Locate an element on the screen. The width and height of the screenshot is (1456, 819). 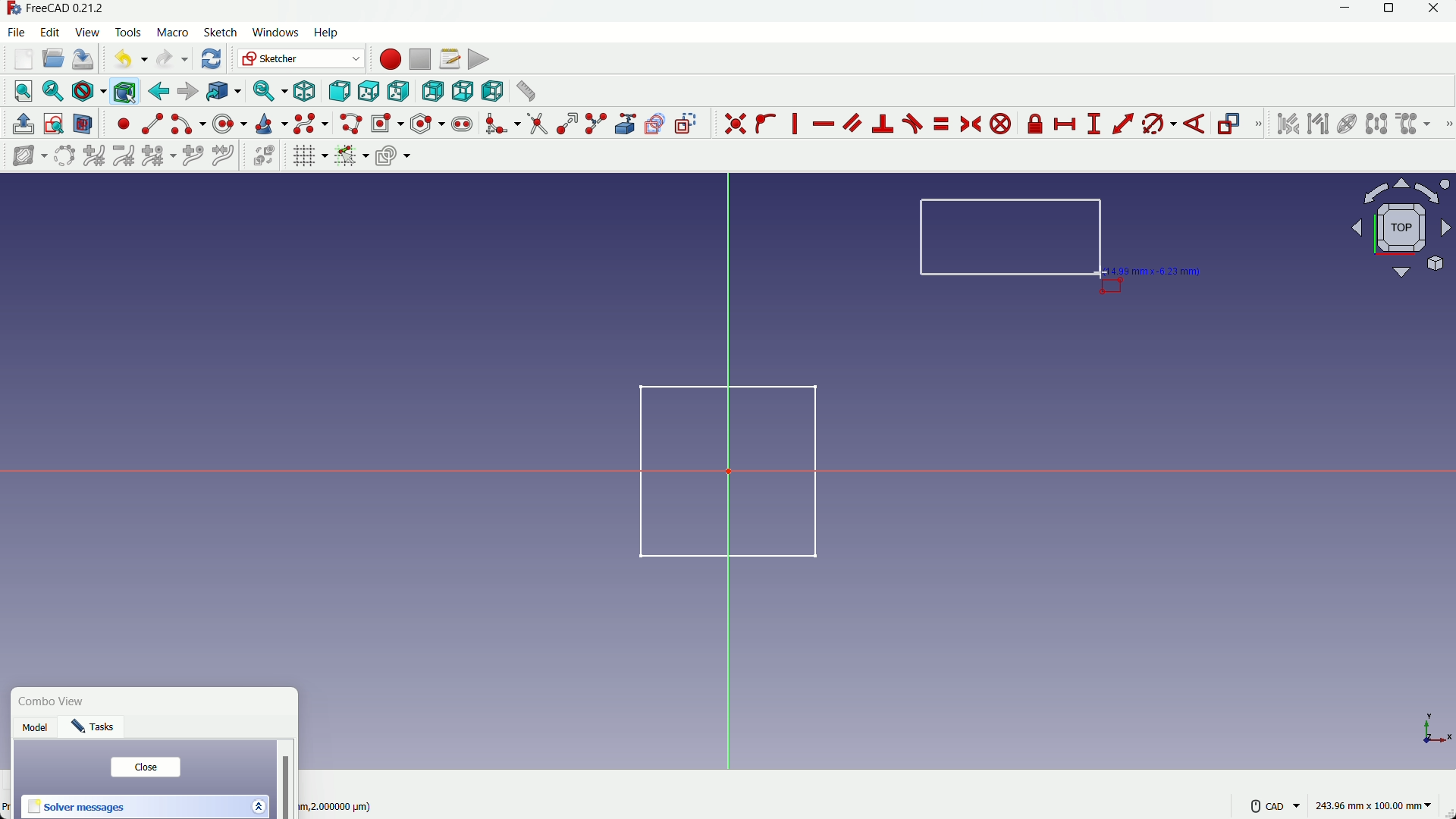
show/hide b spiline layer information is located at coordinates (23, 156).